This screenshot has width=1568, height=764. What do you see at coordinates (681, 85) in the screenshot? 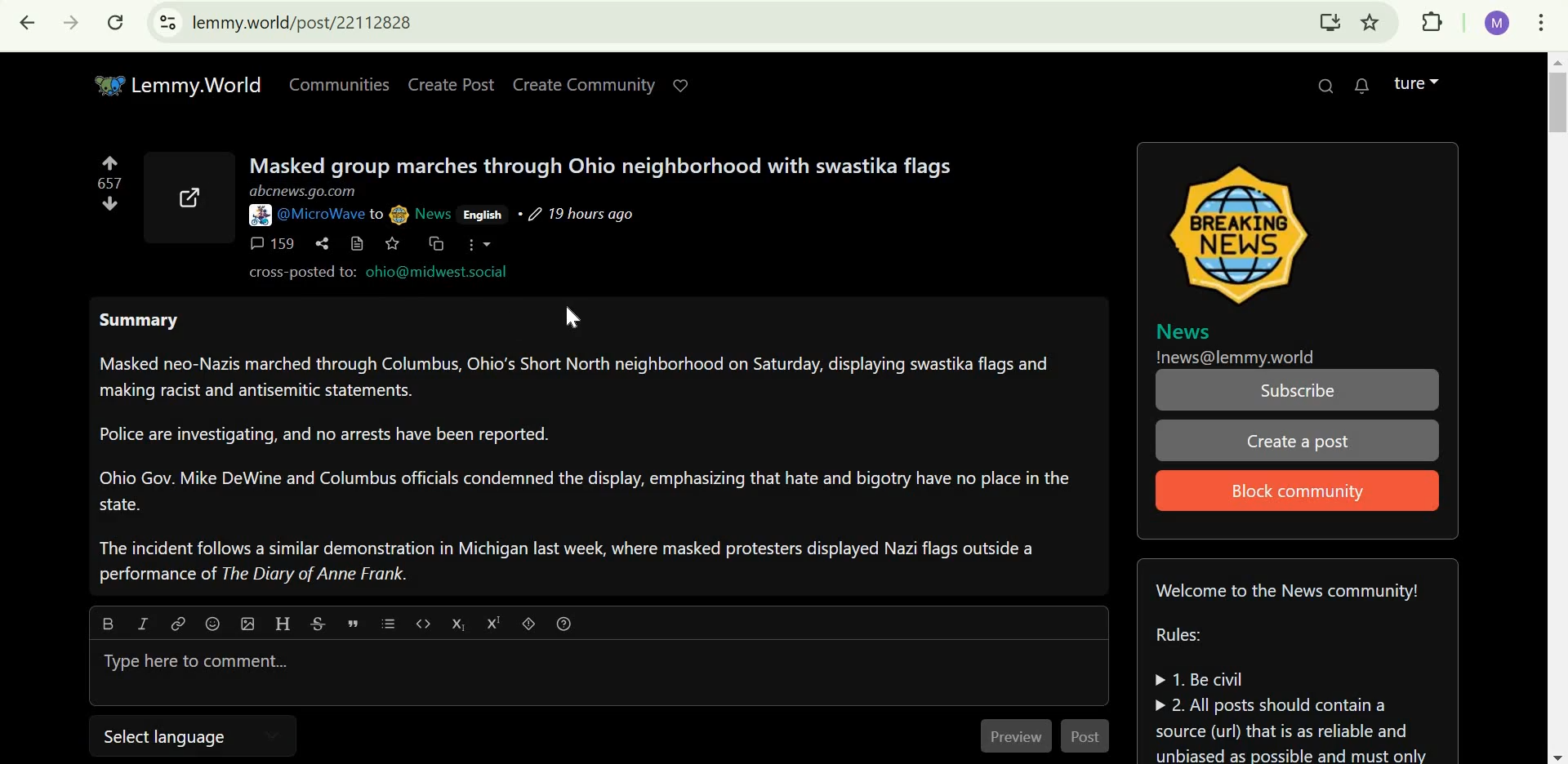
I see `Support lemmy` at bounding box center [681, 85].